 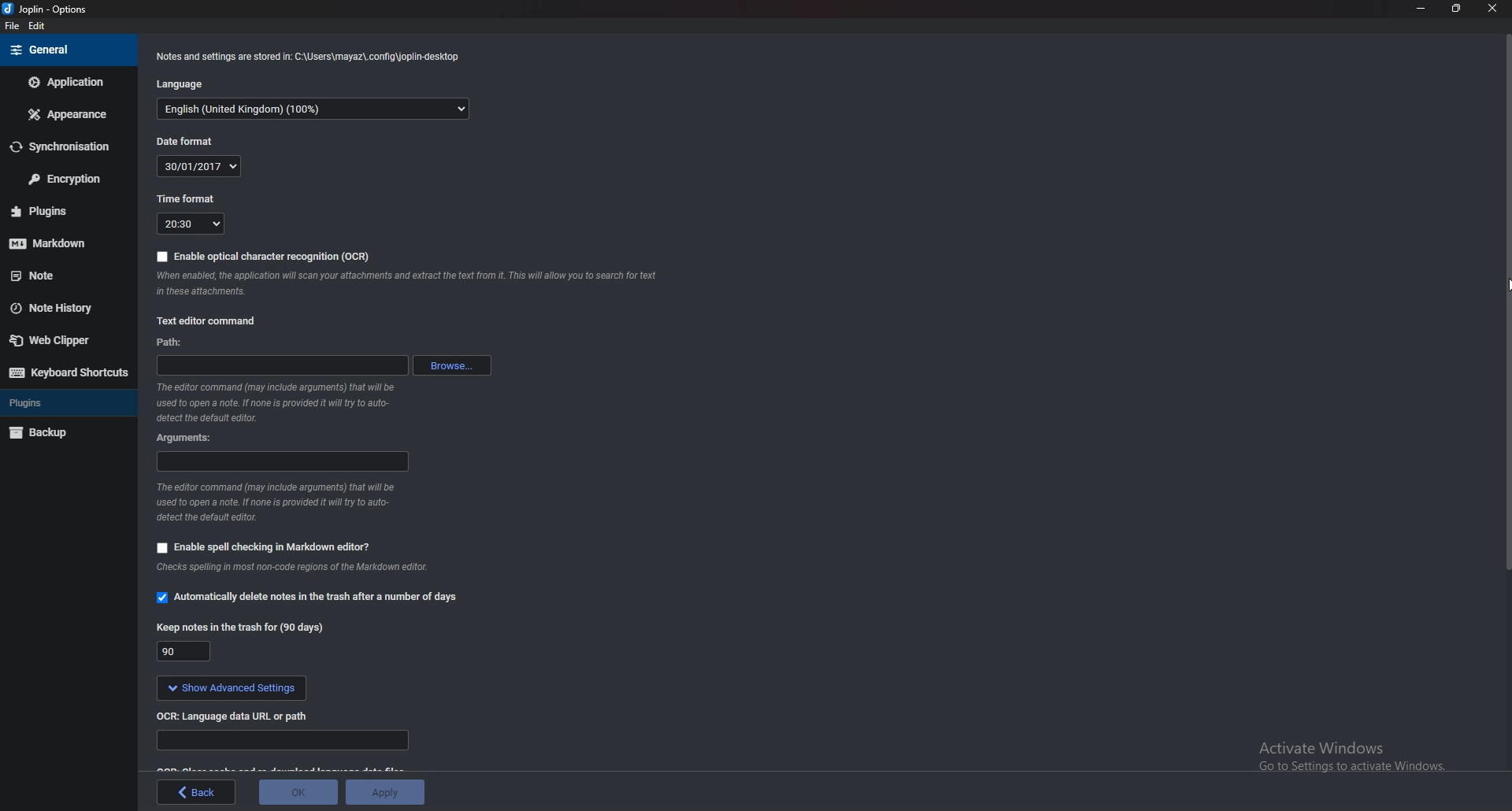 I want to click on Synchronization, so click(x=62, y=146).